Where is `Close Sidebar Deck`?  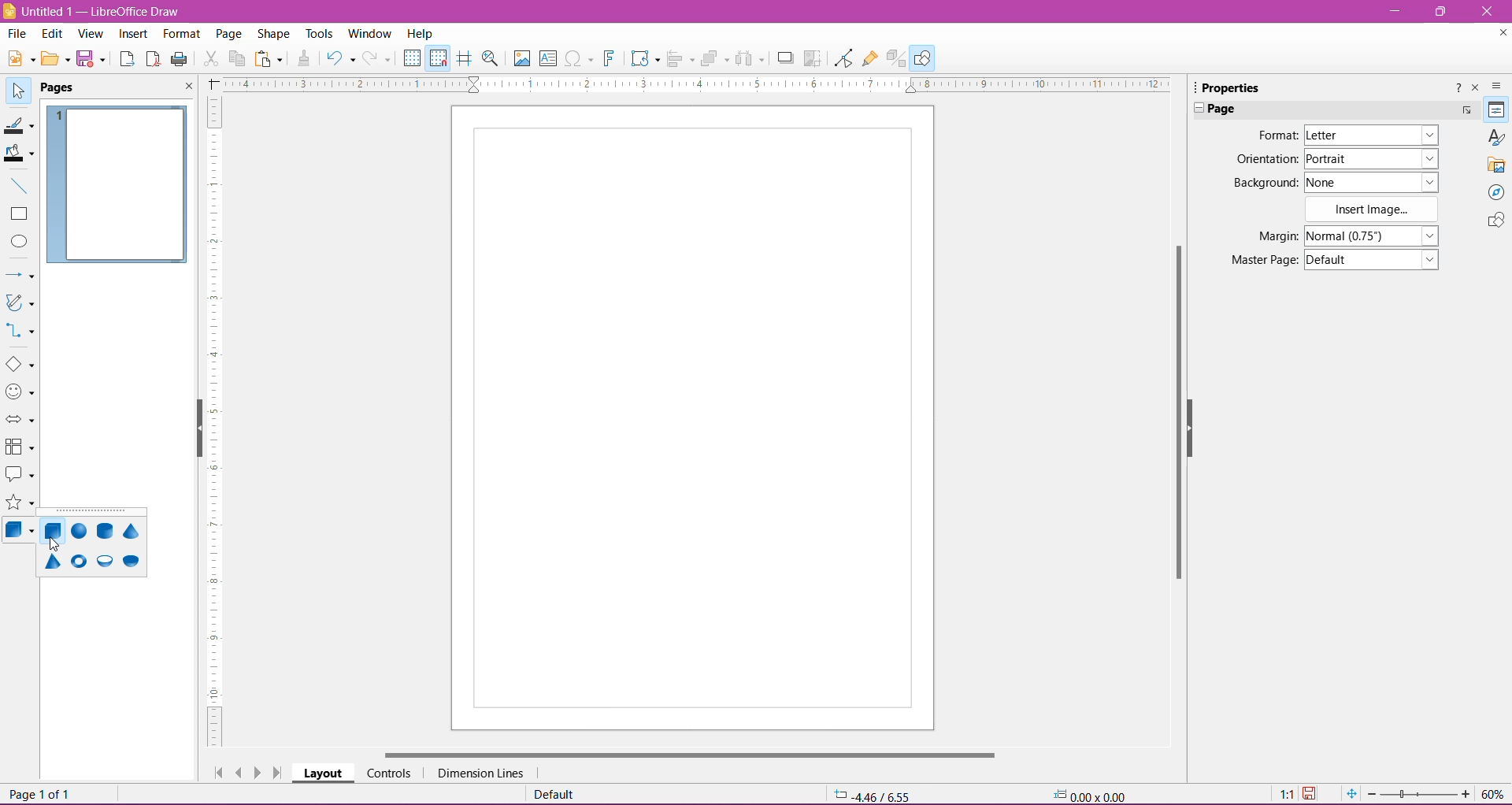
Close Sidebar Deck is located at coordinates (1475, 88).